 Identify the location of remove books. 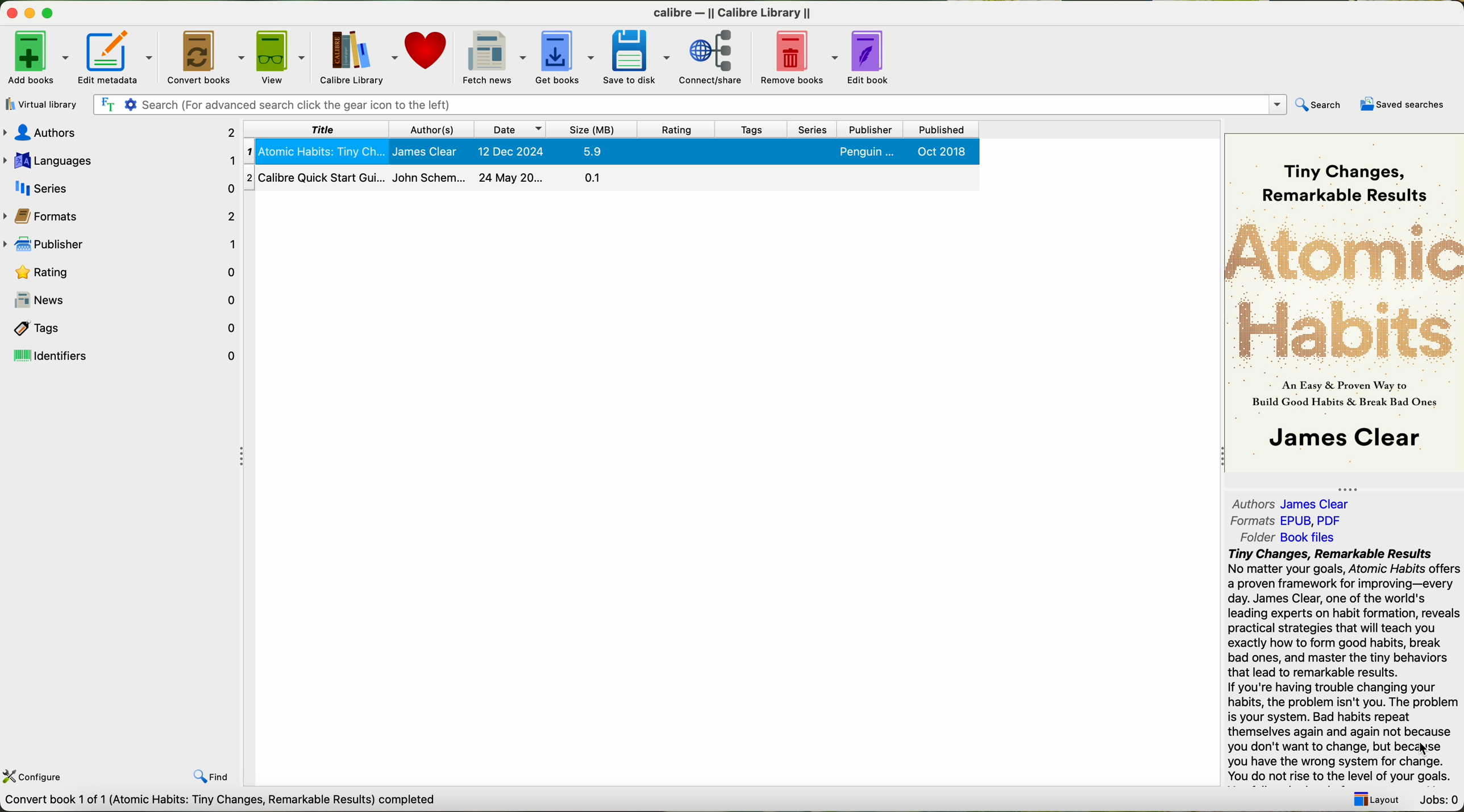
(798, 57).